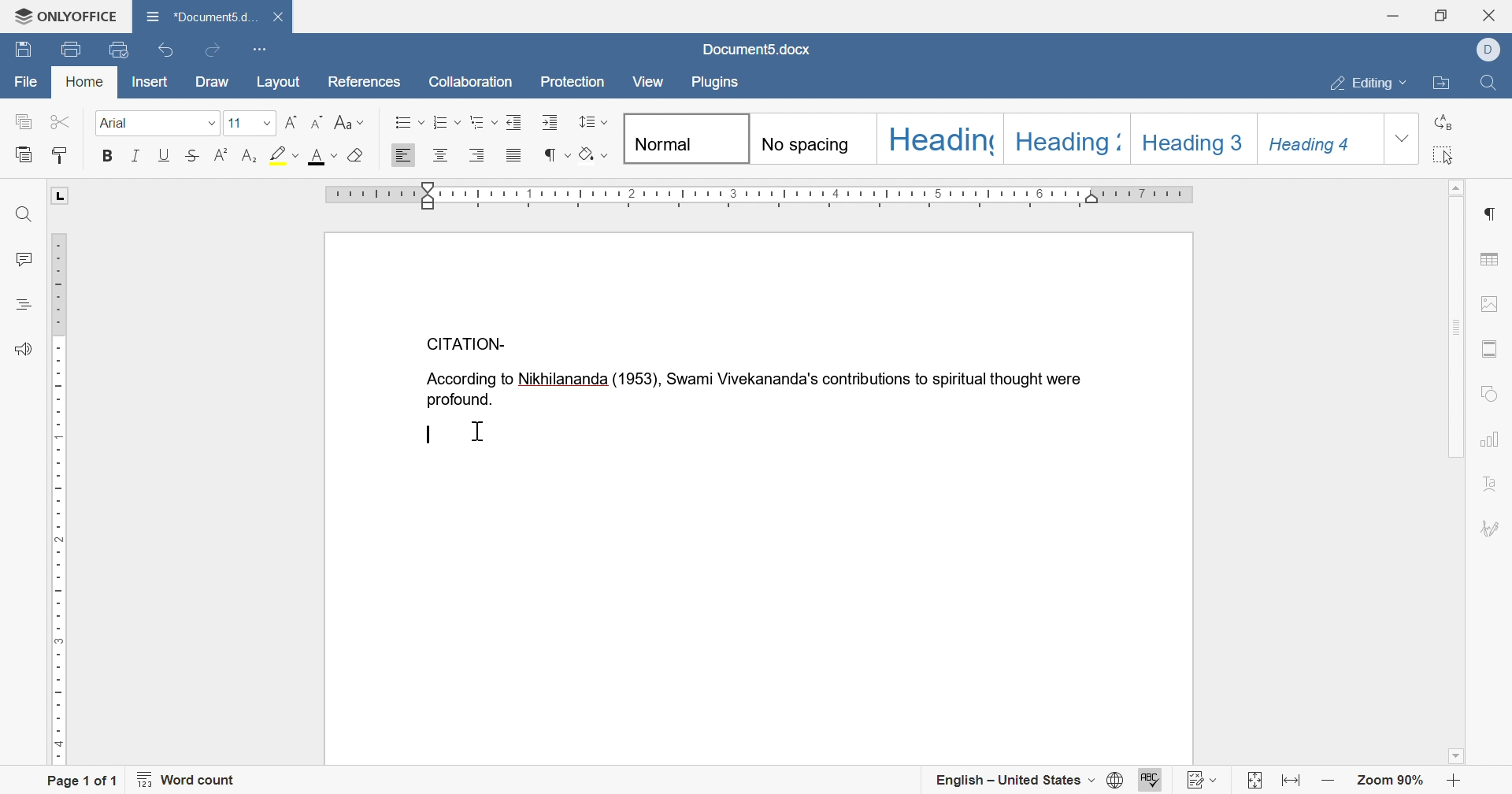 The width and height of the screenshot is (1512, 794). What do you see at coordinates (1320, 141) in the screenshot?
I see `Heading 4` at bounding box center [1320, 141].